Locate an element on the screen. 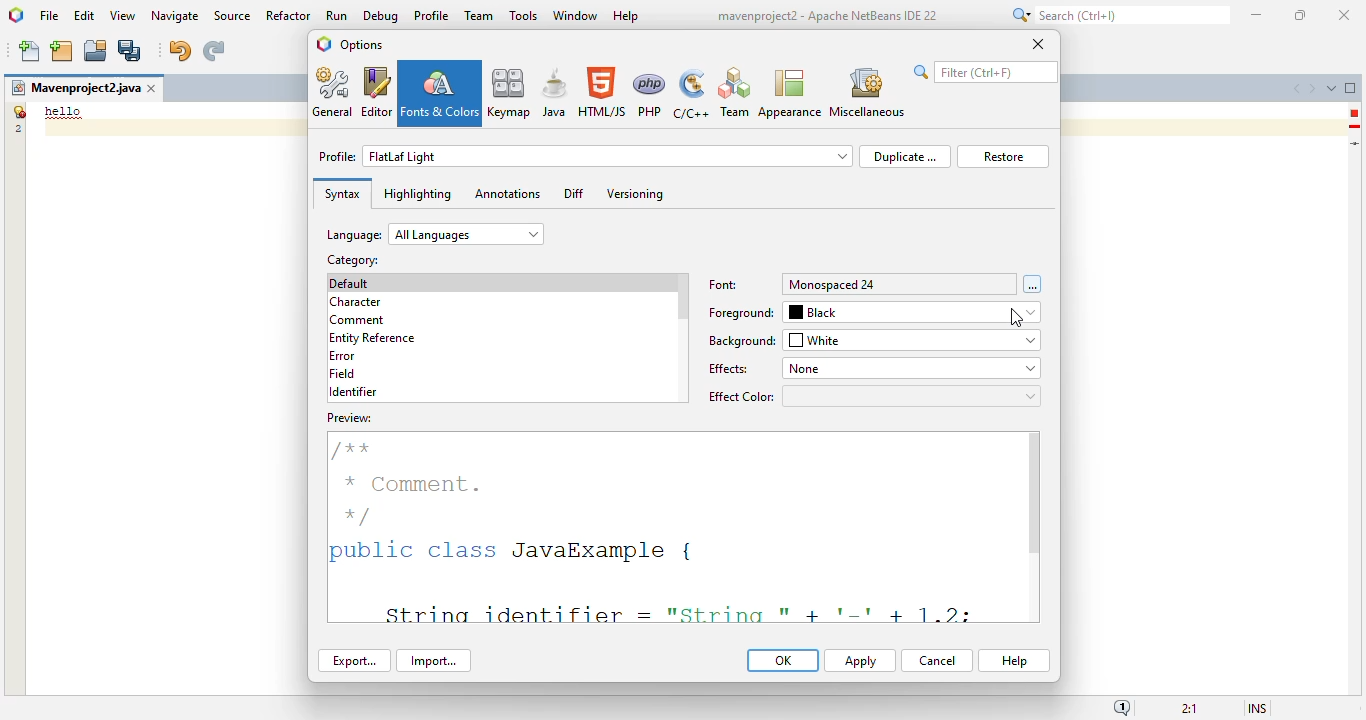  save all is located at coordinates (130, 51).